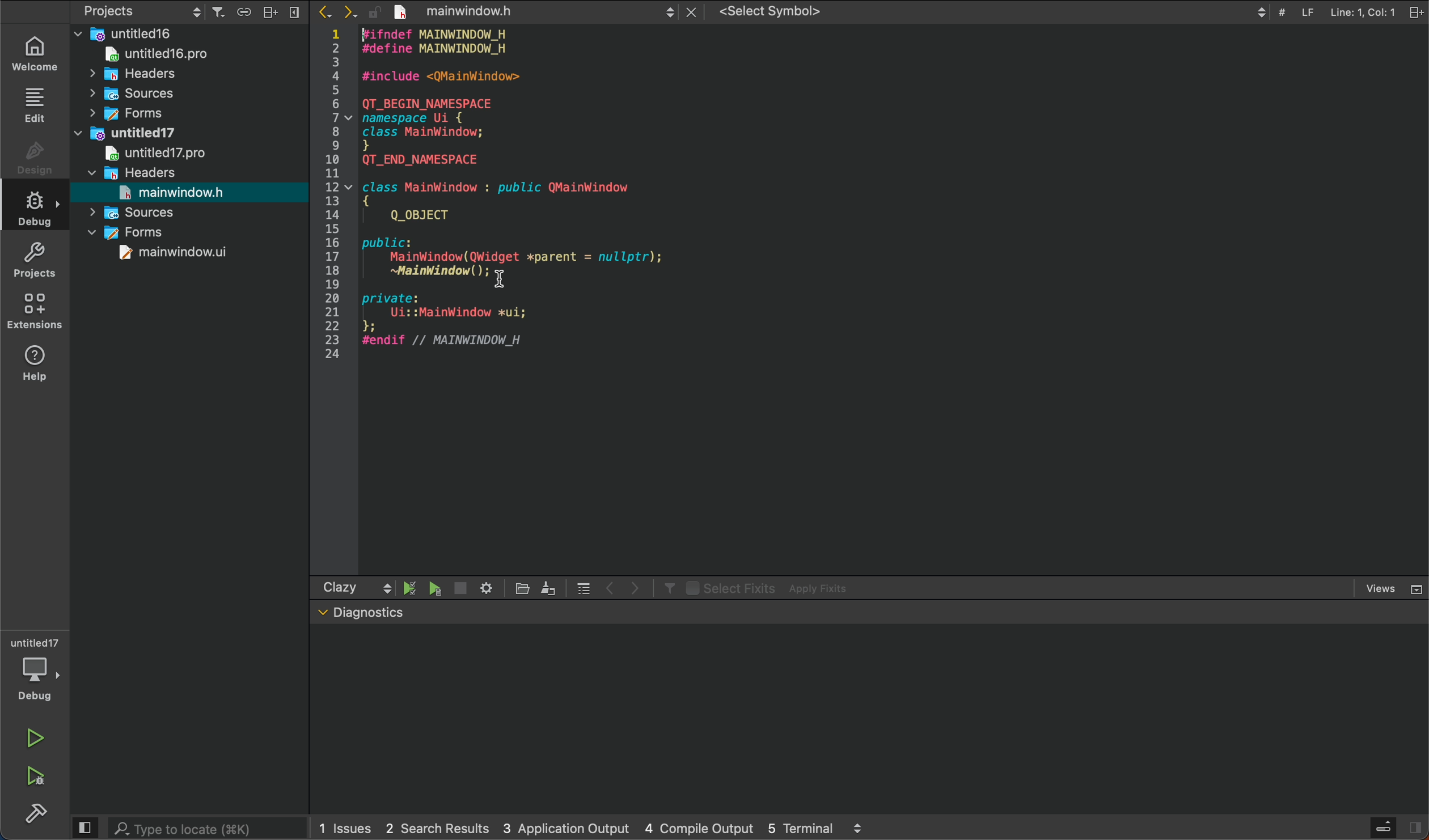  What do you see at coordinates (132, 172) in the screenshot?
I see `Headers` at bounding box center [132, 172].